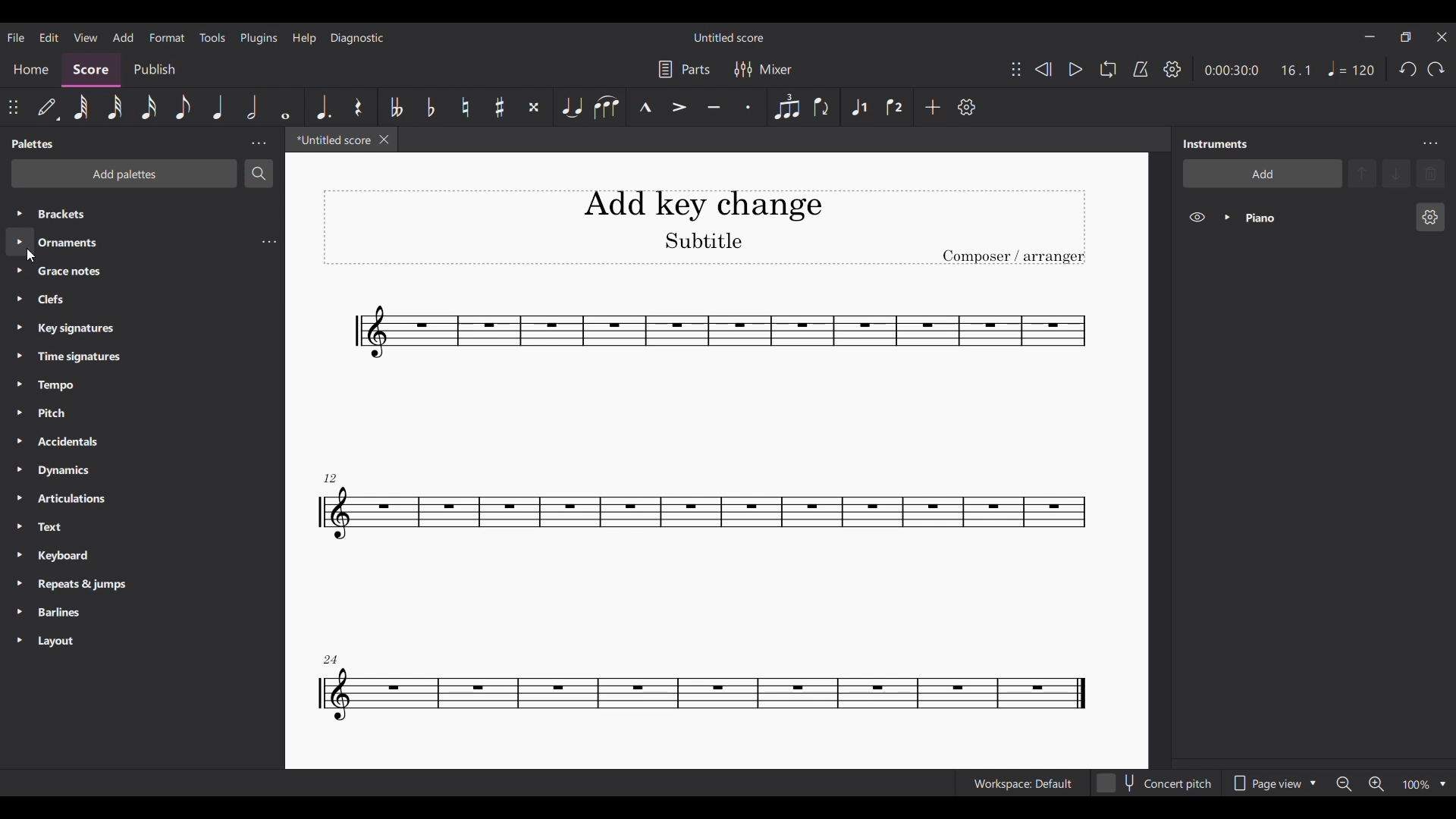 This screenshot has width=1456, height=819. What do you see at coordinates (212, 37) in the screenshot?
I see `Tools menu` at bounding box center [212, 37].